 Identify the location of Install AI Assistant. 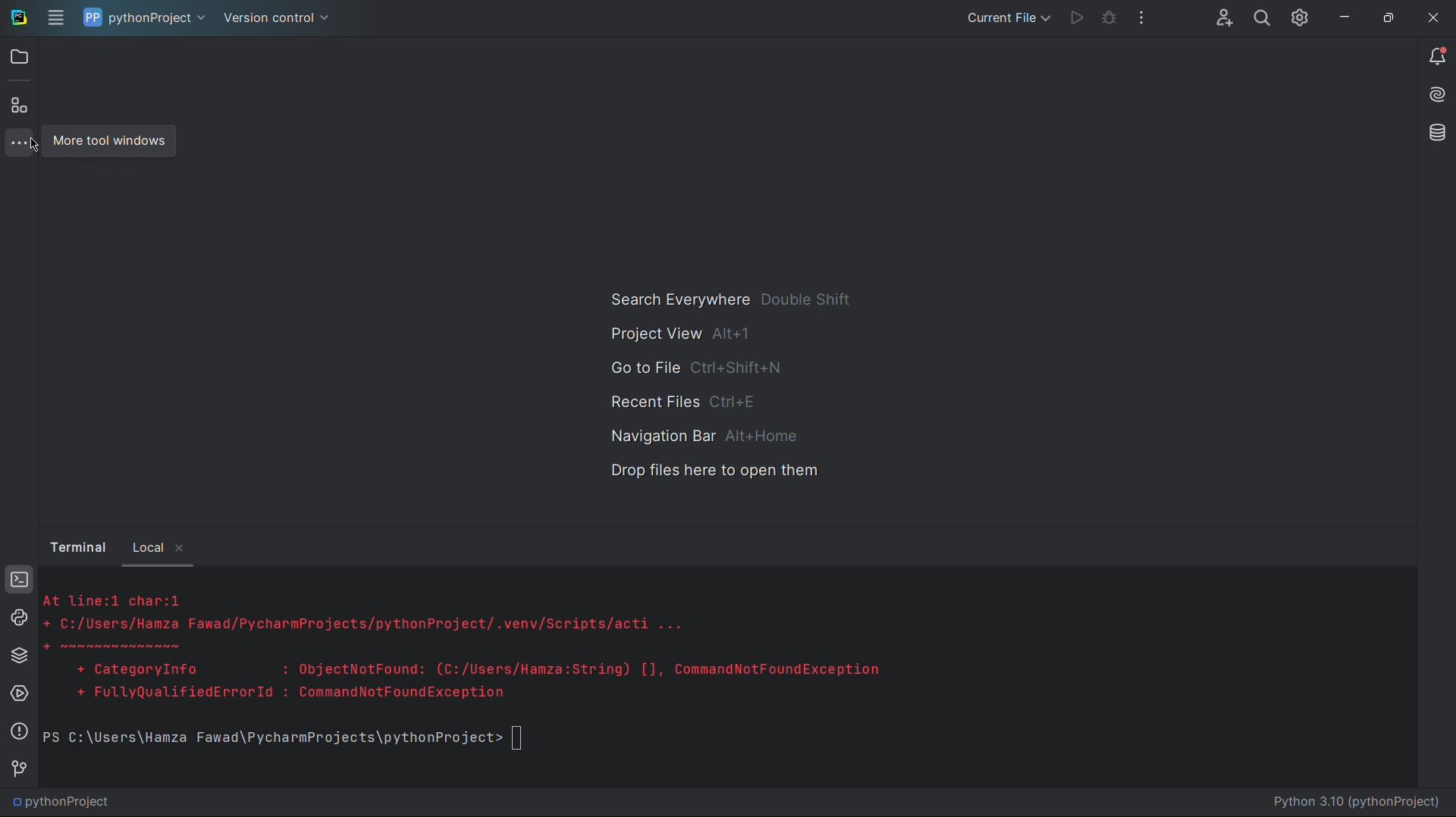
(1433, 99).